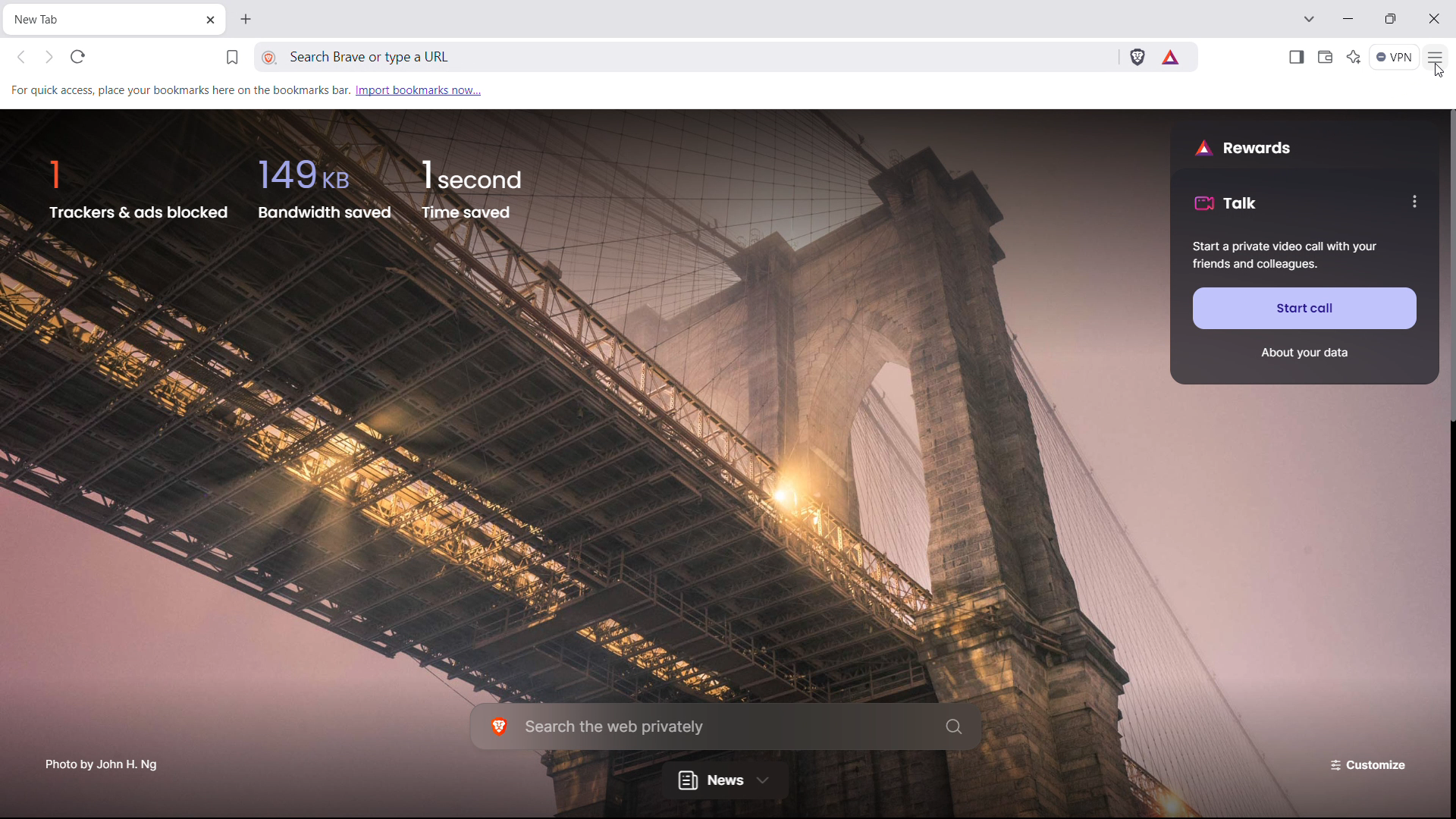  What do you see at coordinates (21, 56) in the screenshot?
I see `click to go back, hold to see history` at bounding box center [21, 56].